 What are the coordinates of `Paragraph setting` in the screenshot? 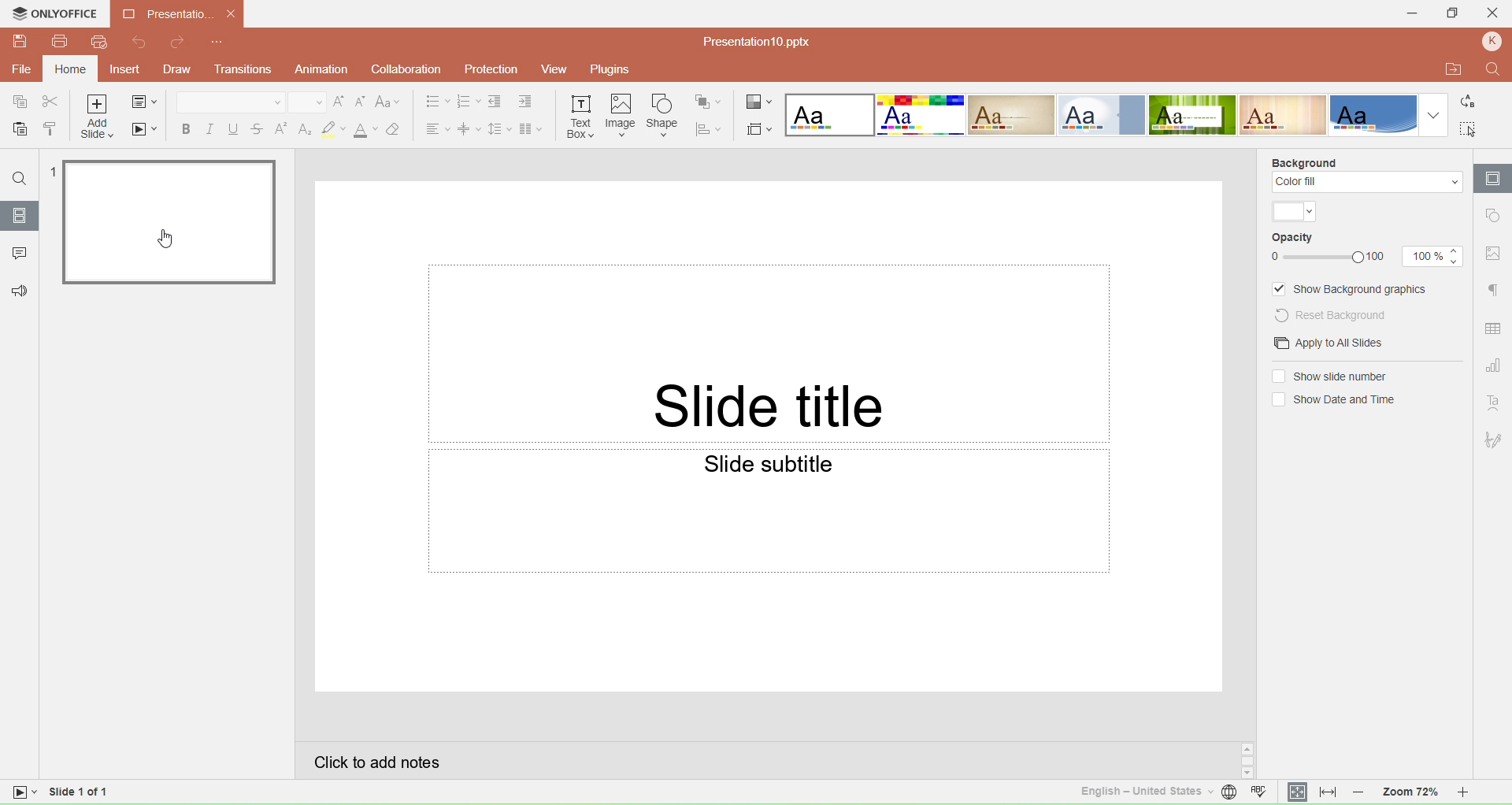 It's located at (1493, 291).